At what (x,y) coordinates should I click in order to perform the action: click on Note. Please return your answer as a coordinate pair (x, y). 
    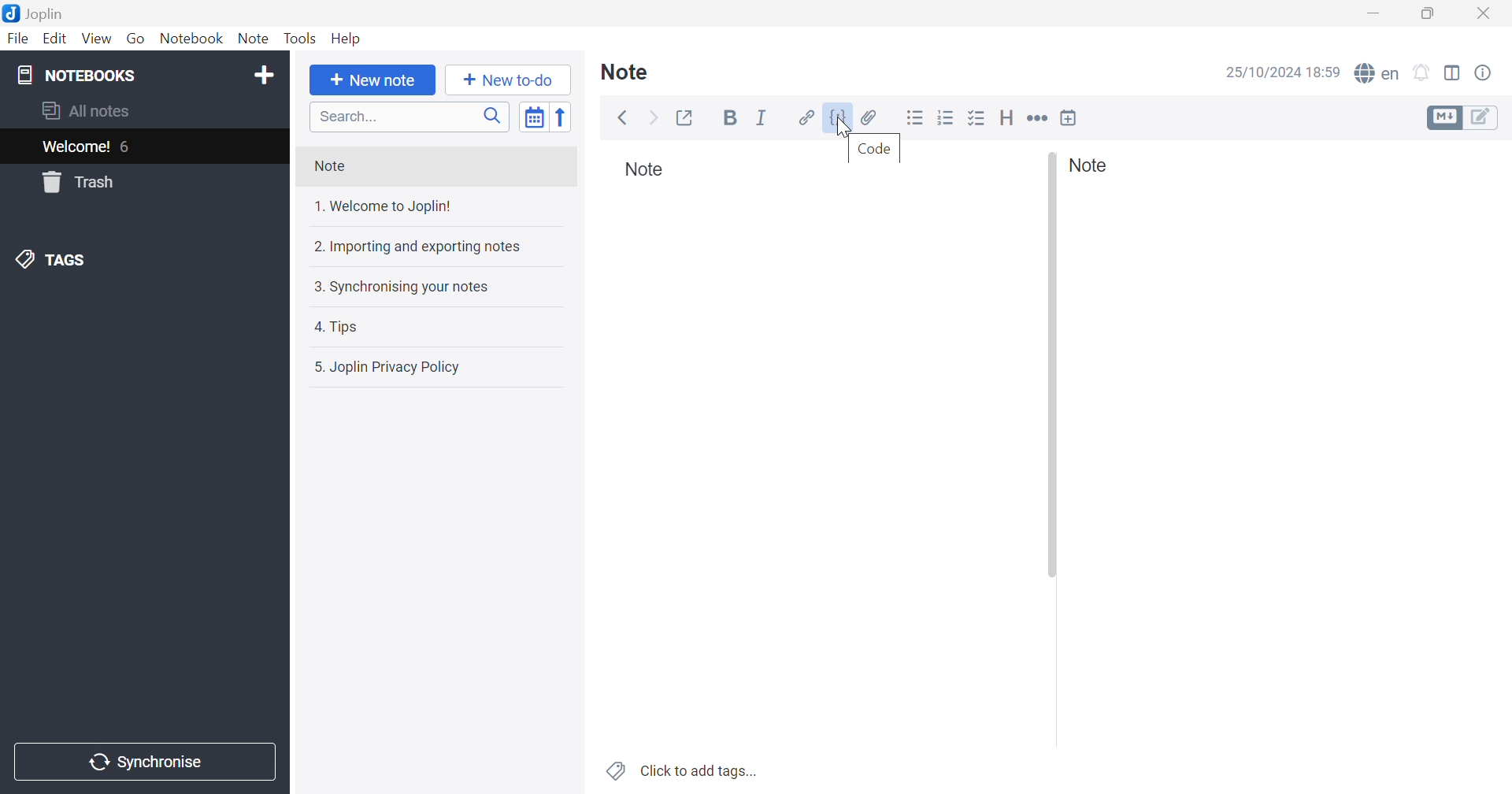
    Looking at the image, I should click on (1086, 165).